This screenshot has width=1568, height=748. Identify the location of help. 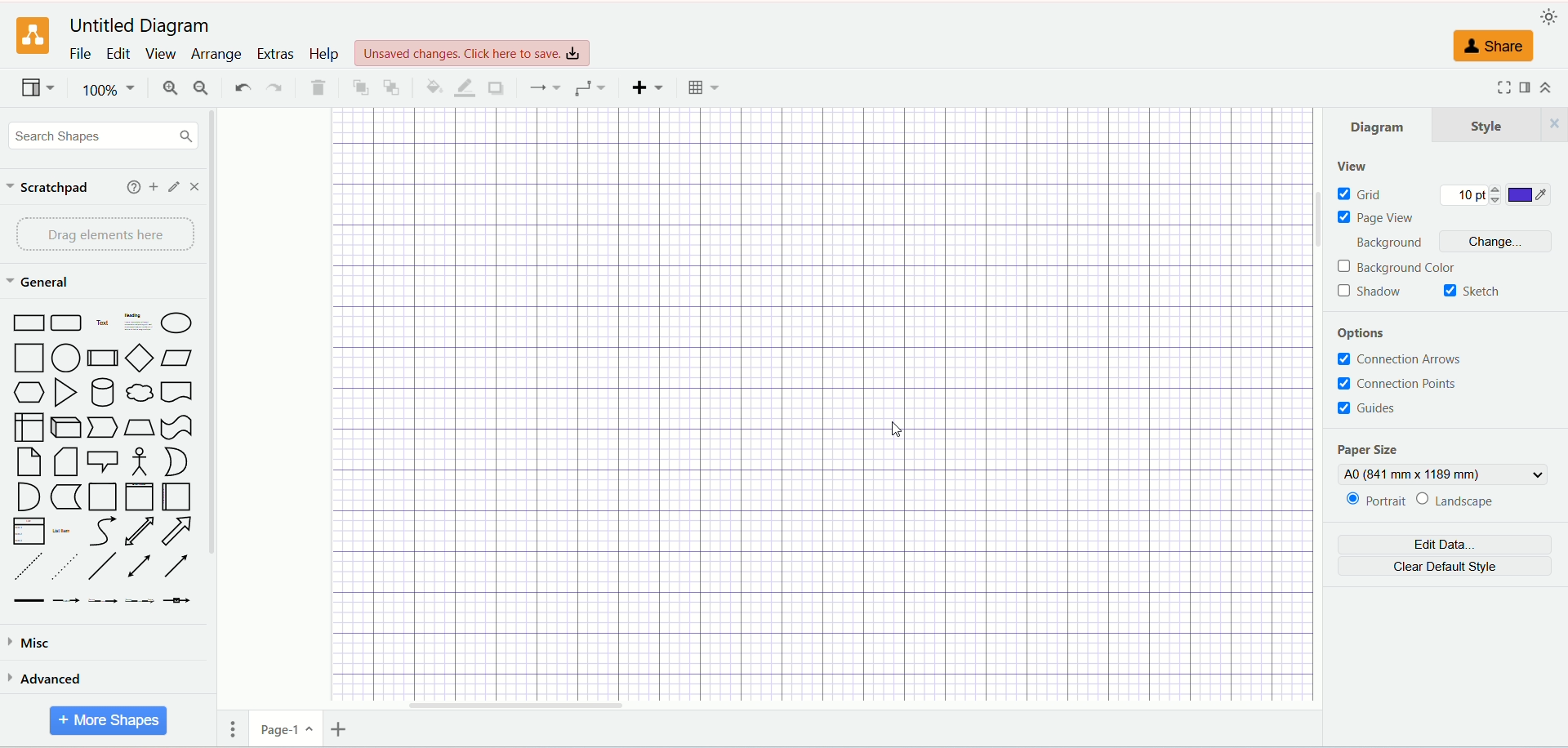
(324, 54).